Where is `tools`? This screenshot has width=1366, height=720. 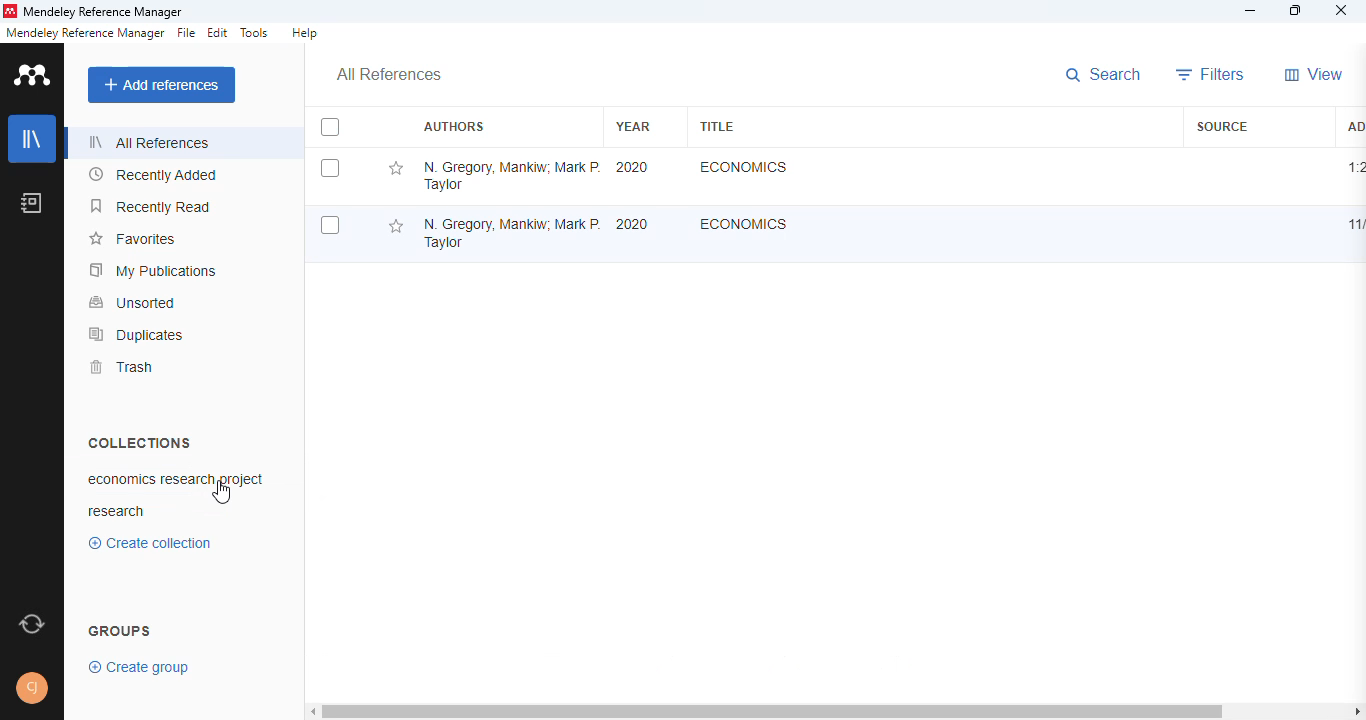
tools is located at coordinates (255, 33).